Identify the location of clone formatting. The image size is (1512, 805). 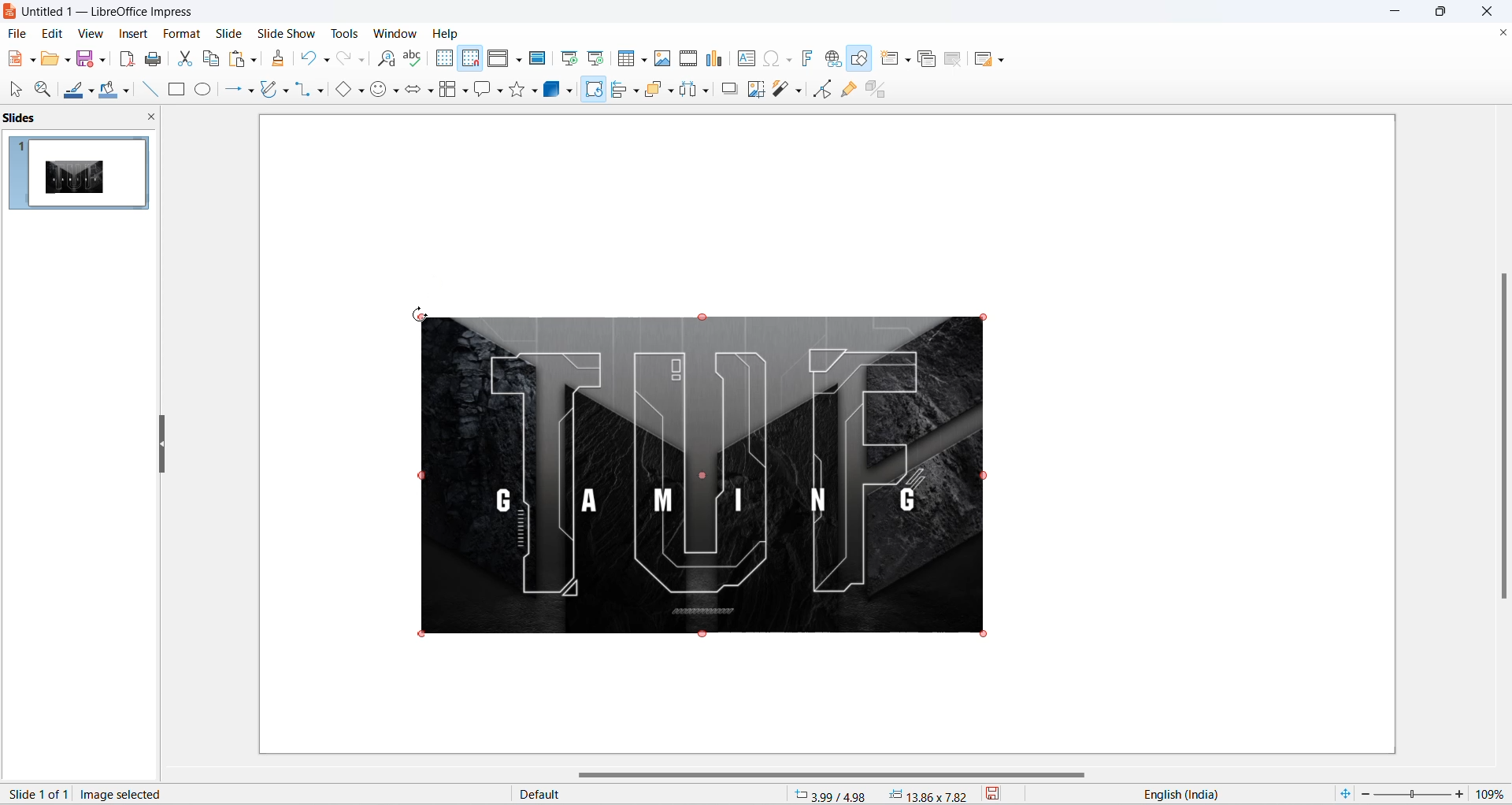
(282, 60).